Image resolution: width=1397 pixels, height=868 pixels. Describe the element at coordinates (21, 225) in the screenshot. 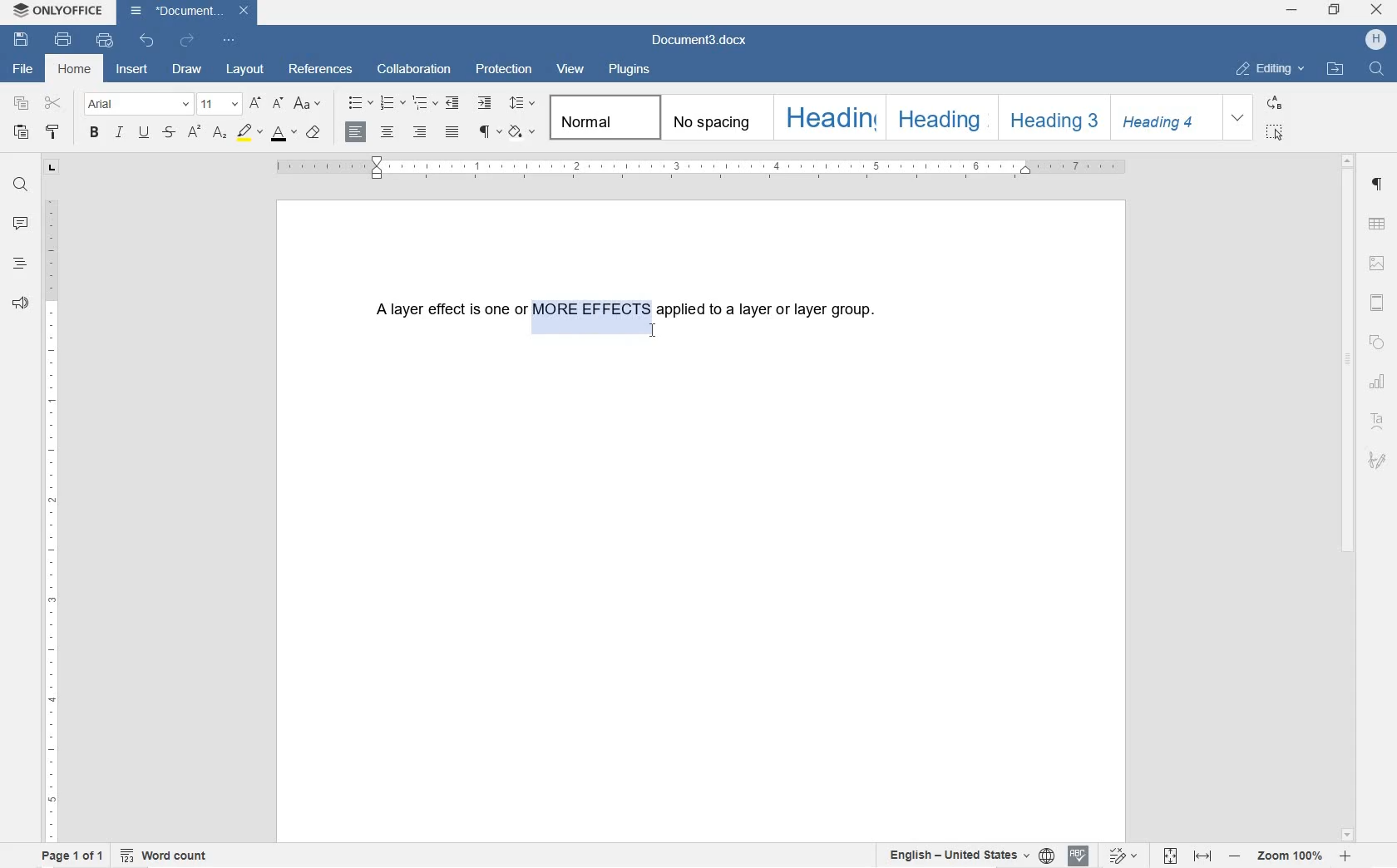

I see `COMMENT` at that location.